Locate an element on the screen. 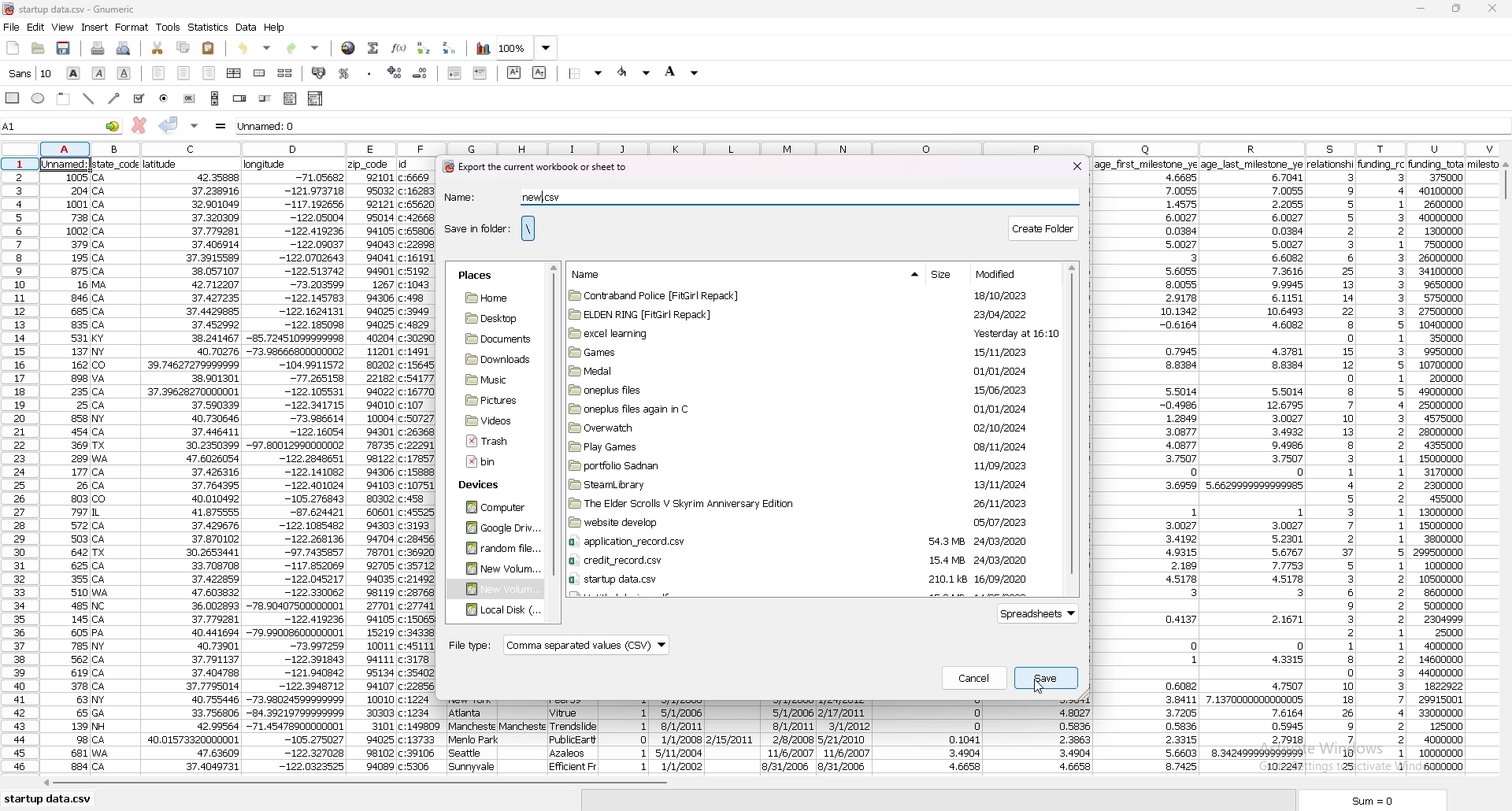  list is located at coordinates (290, 98).